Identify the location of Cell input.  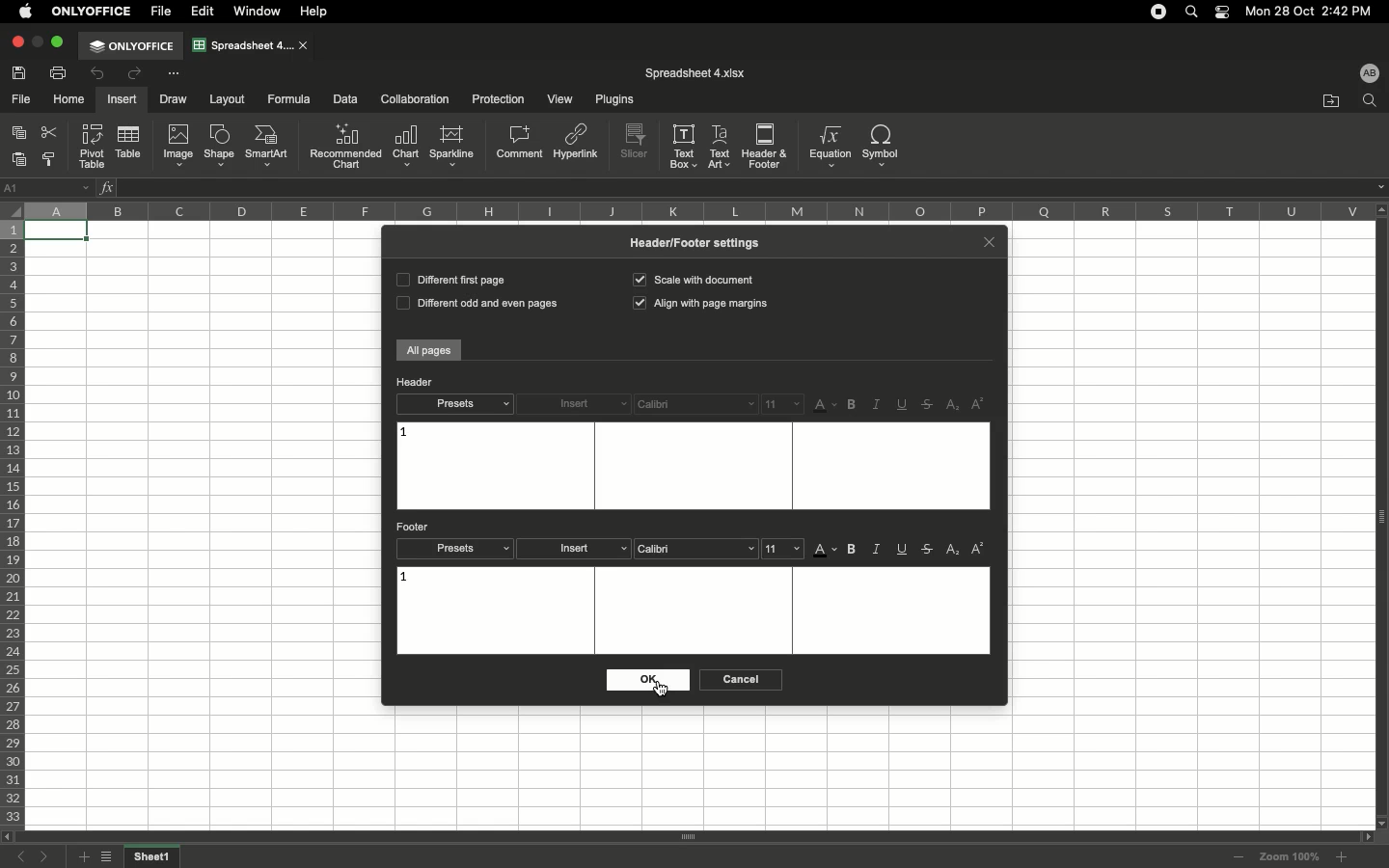
(743, 188).